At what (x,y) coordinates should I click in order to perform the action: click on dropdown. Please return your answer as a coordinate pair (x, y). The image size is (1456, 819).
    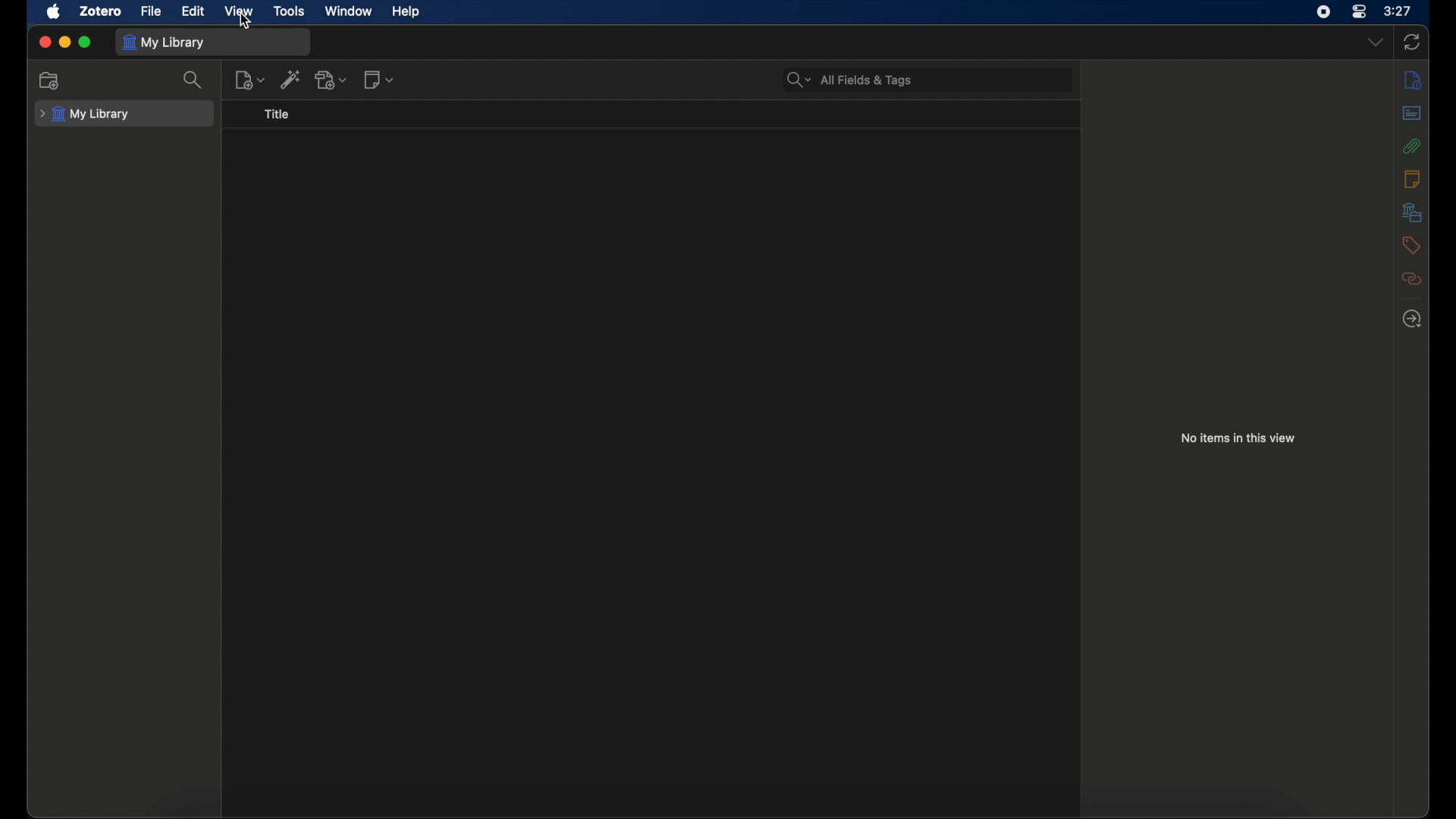
    Looking at the image, I should click on (1376, 42).